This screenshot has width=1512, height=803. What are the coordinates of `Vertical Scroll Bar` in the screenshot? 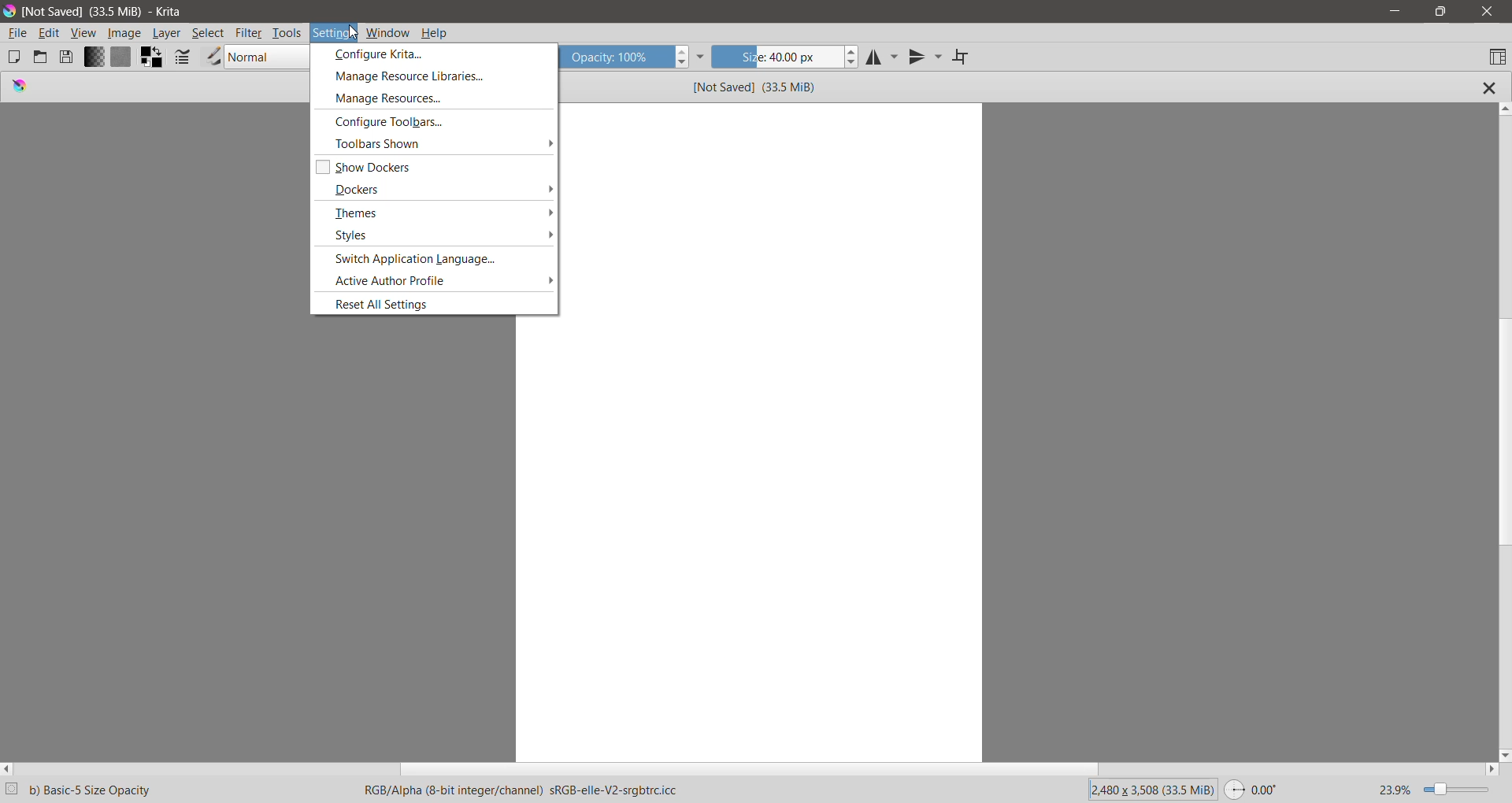 It's located at (1503, 432).